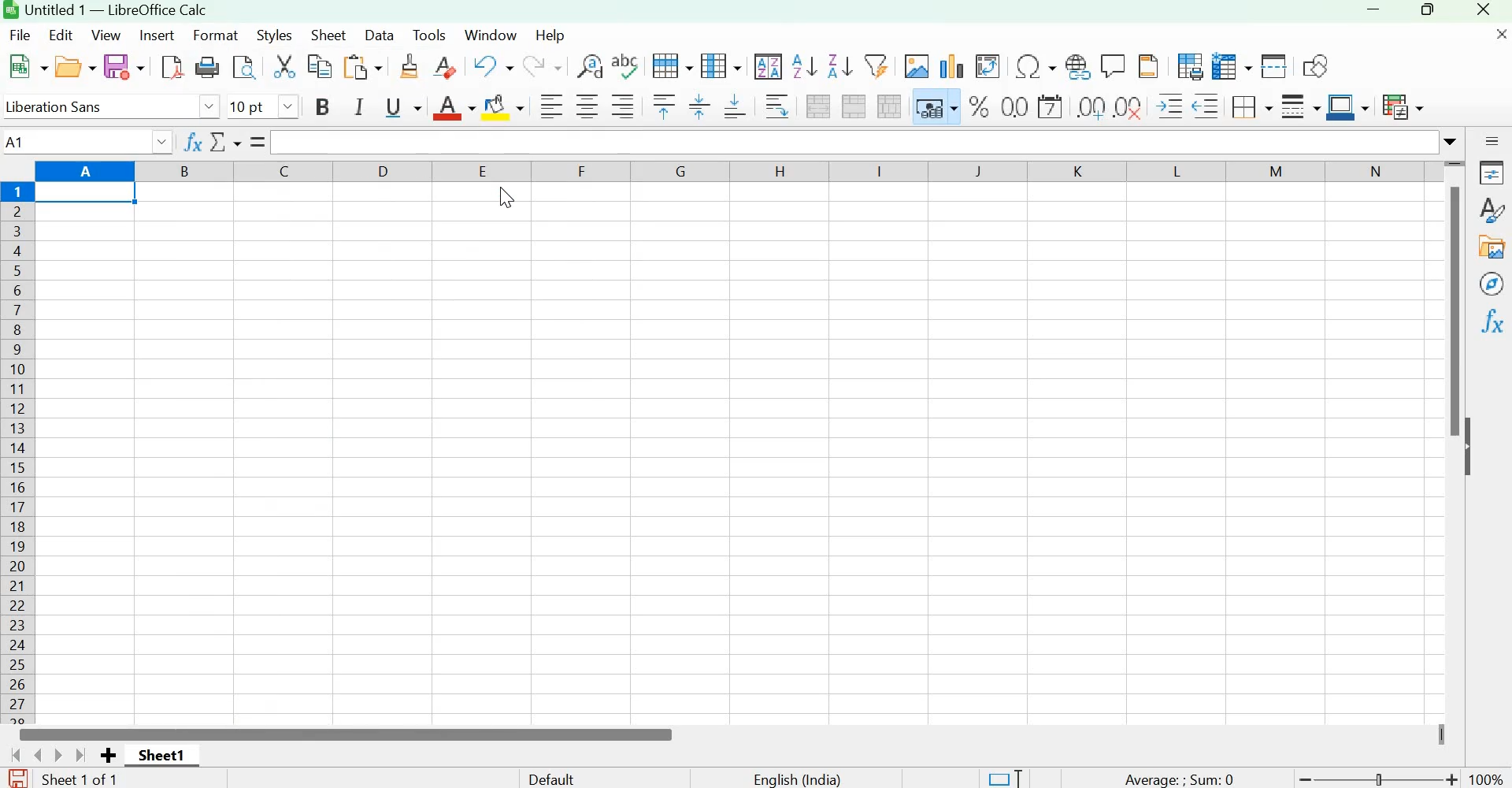 Image resolution: width=1512 pixels, height=788 pixels. What do you see at coordinates (1147, 65) in the screenshot?
I see `Headers and Footers` at bounding box center [1147, 65].